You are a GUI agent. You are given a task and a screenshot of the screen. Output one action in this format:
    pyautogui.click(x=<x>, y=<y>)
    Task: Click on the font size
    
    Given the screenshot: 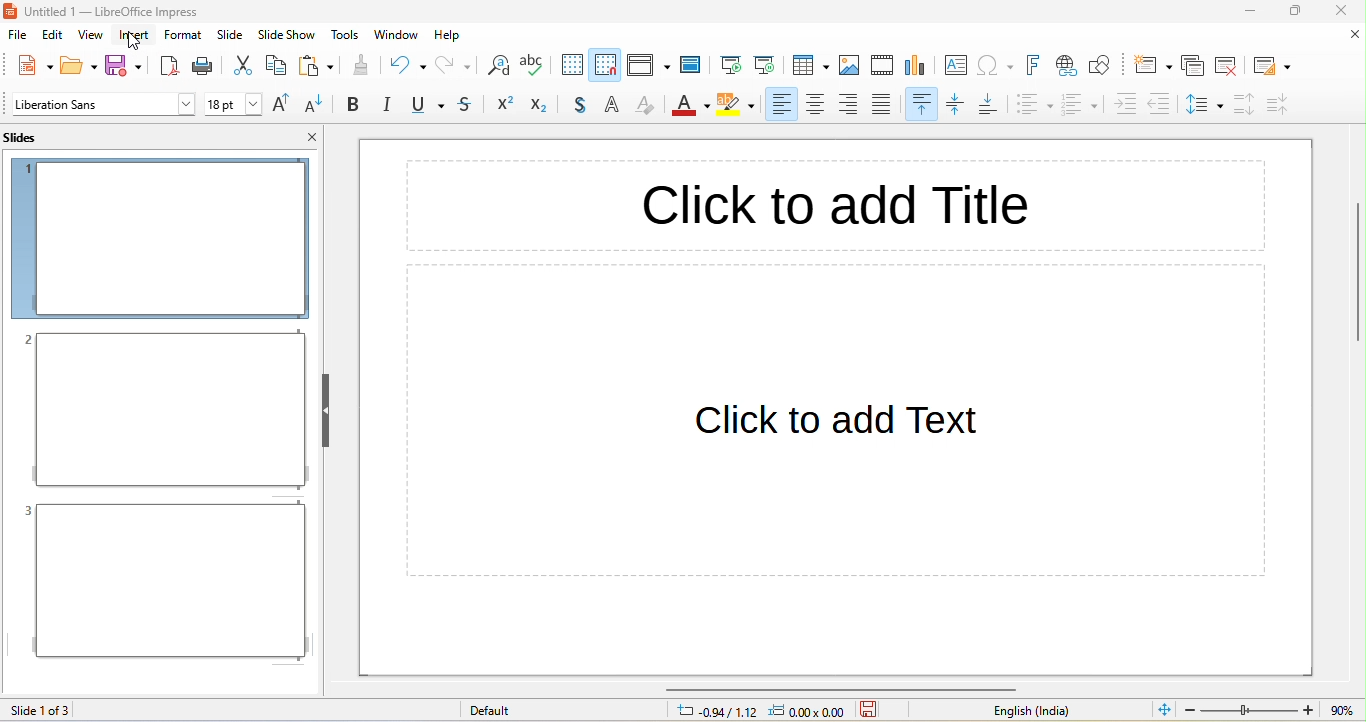 What is the action you would take?
    pyautogui.click(x=233, y=104)
    